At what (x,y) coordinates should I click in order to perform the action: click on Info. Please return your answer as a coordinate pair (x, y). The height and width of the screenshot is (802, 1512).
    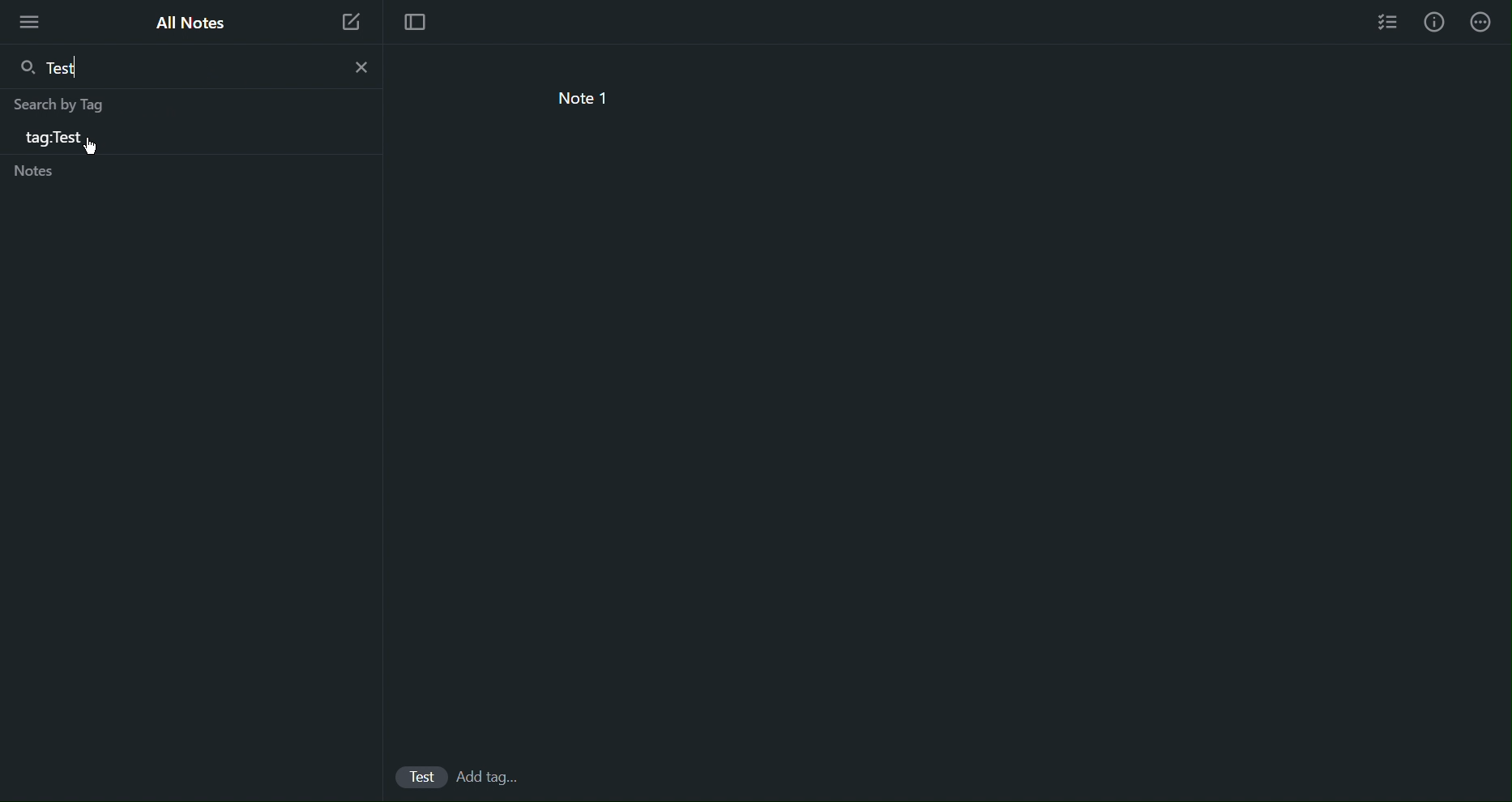
    Looking at the image, I should click on (1434, 21).